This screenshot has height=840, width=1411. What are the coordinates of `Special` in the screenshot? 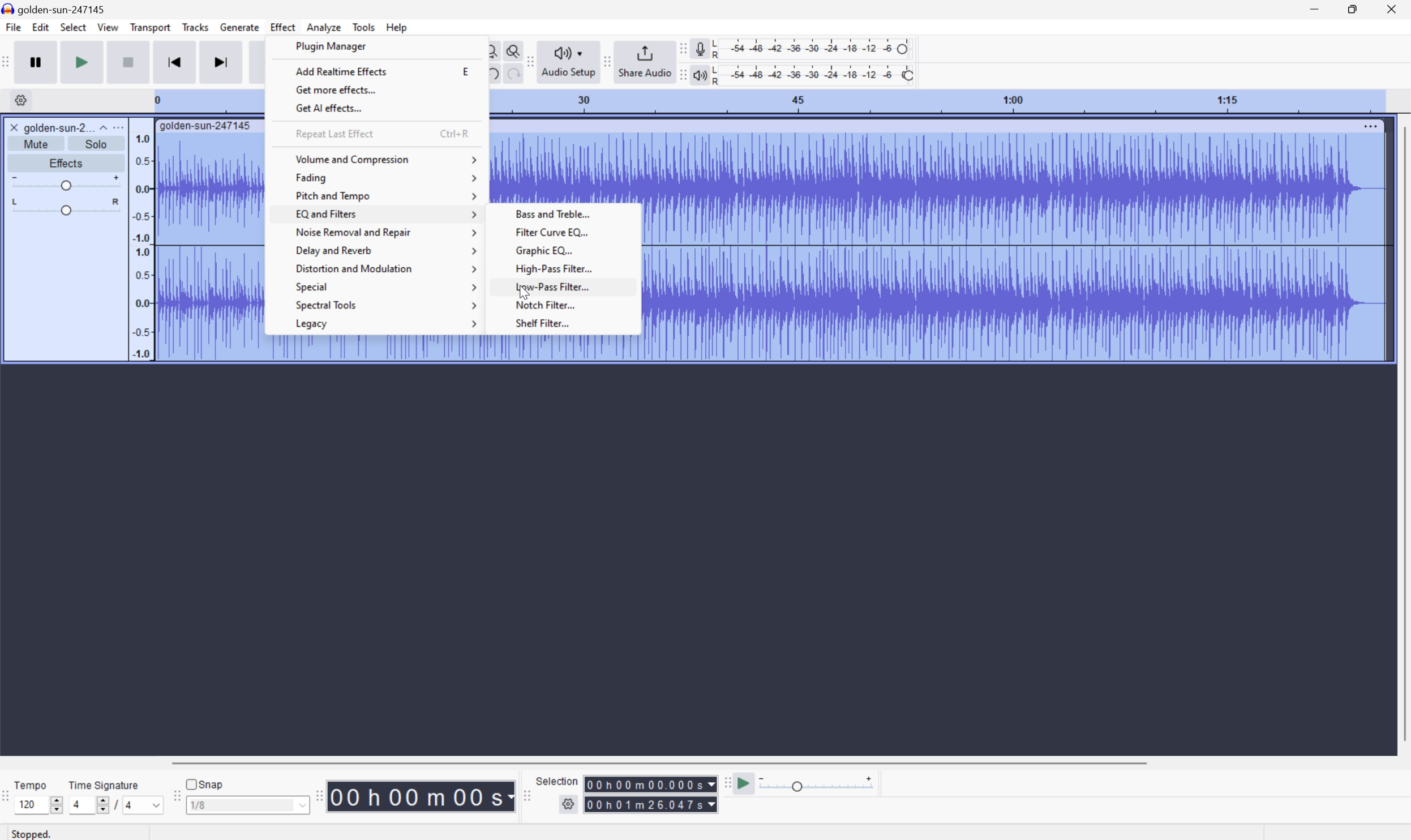 It's located at (387, 288).